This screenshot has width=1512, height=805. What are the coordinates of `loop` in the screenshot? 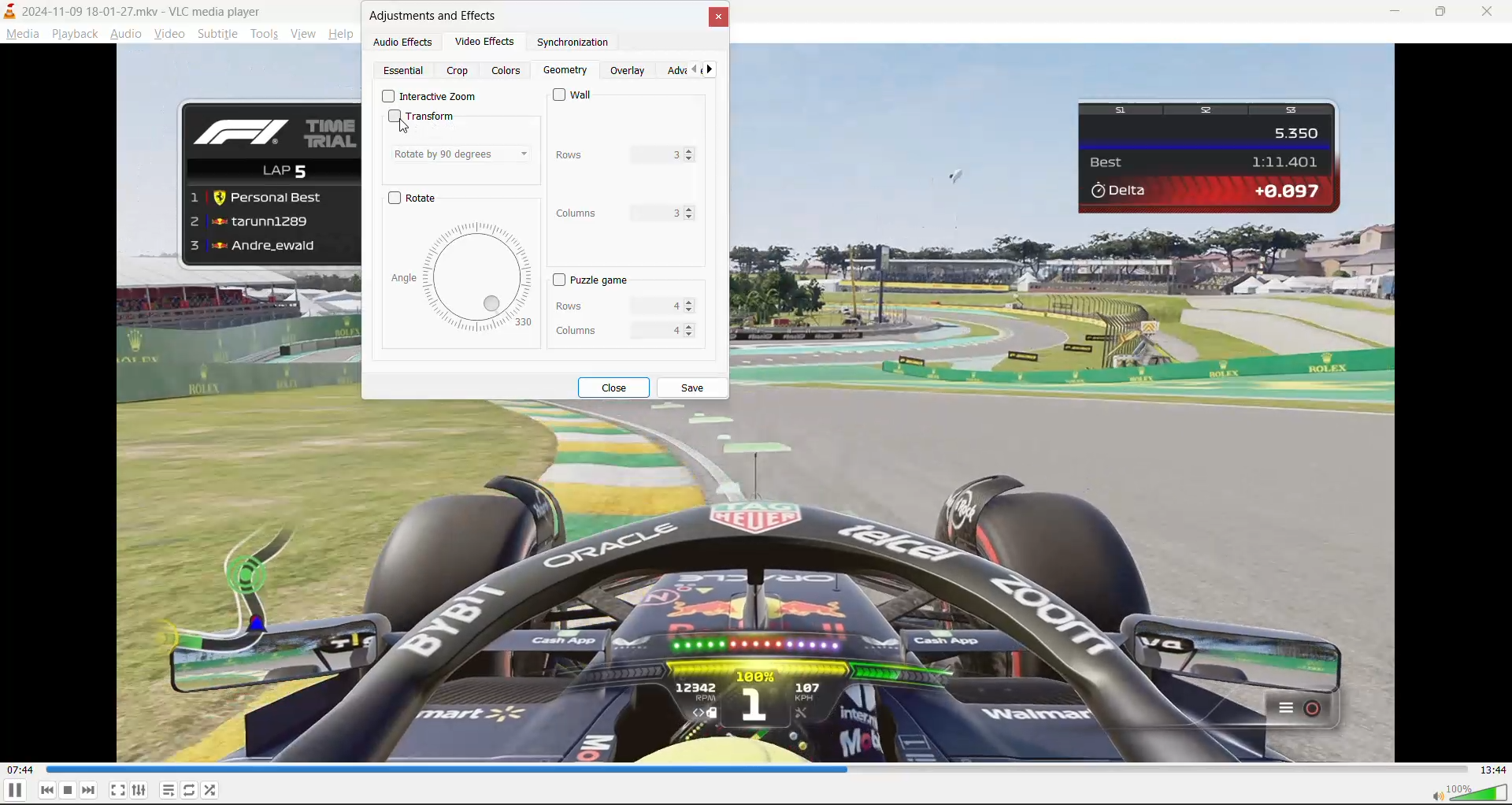 It's located at (189, 789).